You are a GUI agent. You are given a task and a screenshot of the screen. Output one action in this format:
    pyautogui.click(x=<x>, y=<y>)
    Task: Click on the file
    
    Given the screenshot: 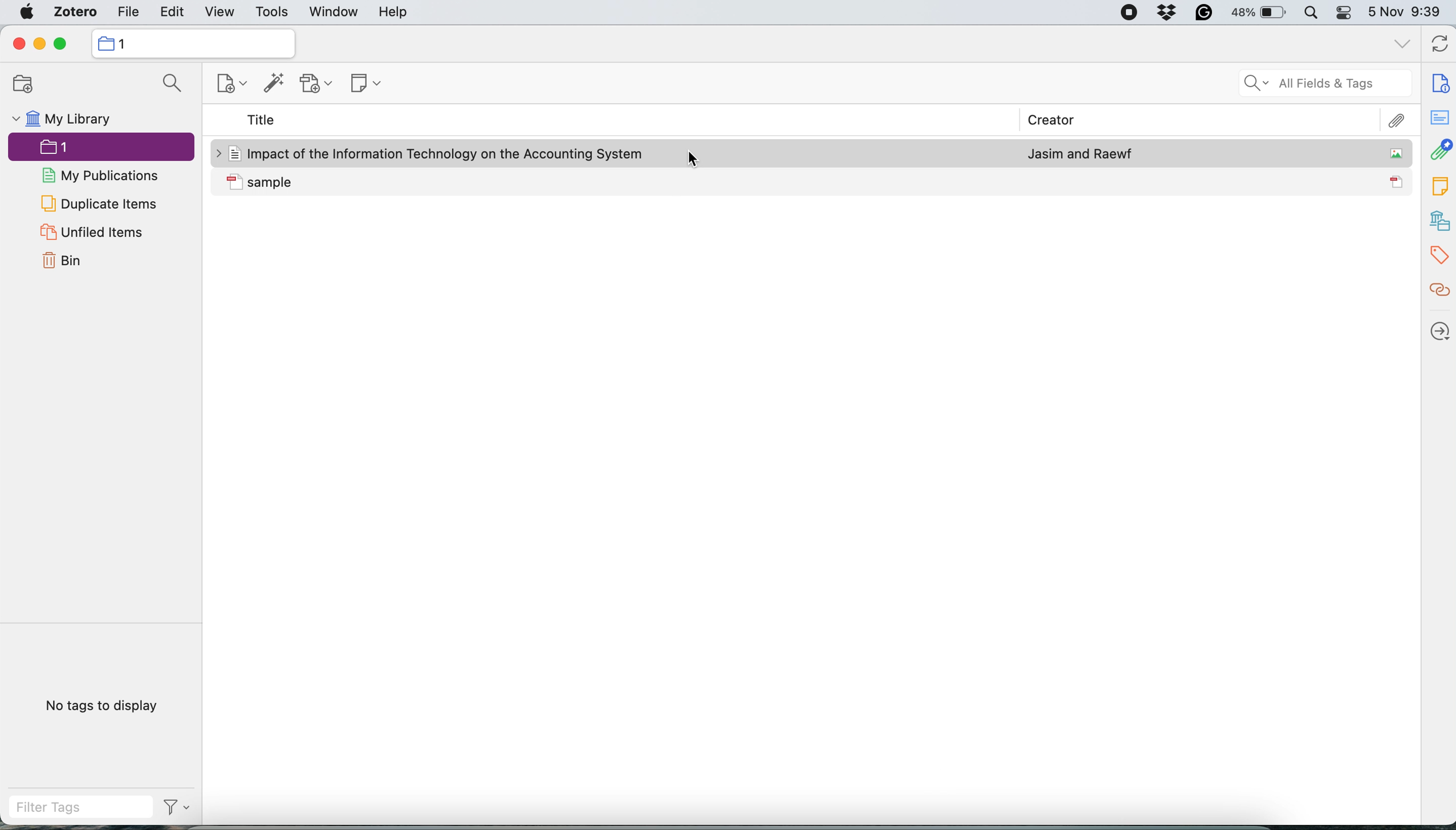 What is the action you would take?
    pyautogui.click(x=129, y=13)
    